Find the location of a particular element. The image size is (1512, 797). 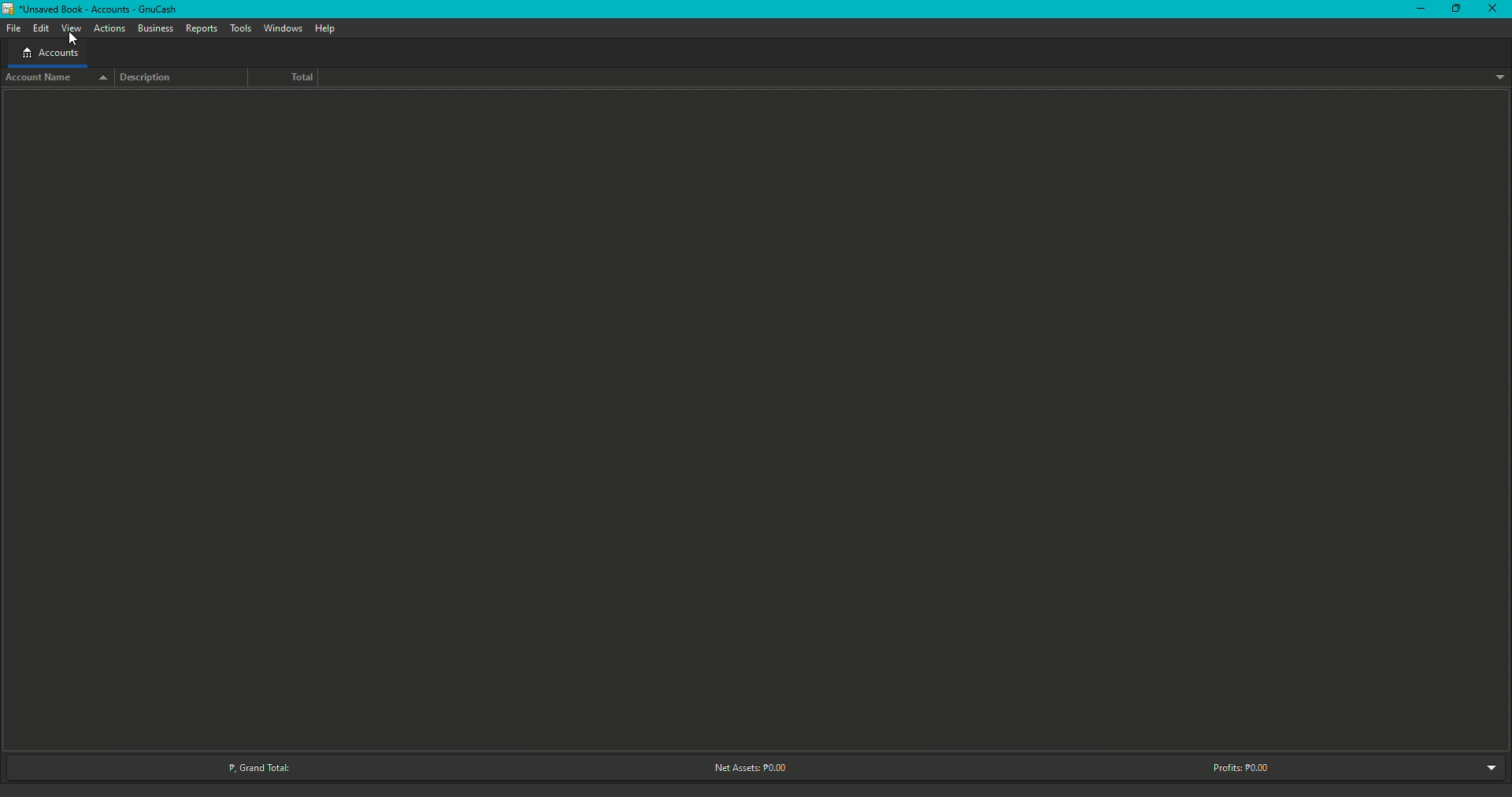

Restore is located at coordinates (1454, 8).